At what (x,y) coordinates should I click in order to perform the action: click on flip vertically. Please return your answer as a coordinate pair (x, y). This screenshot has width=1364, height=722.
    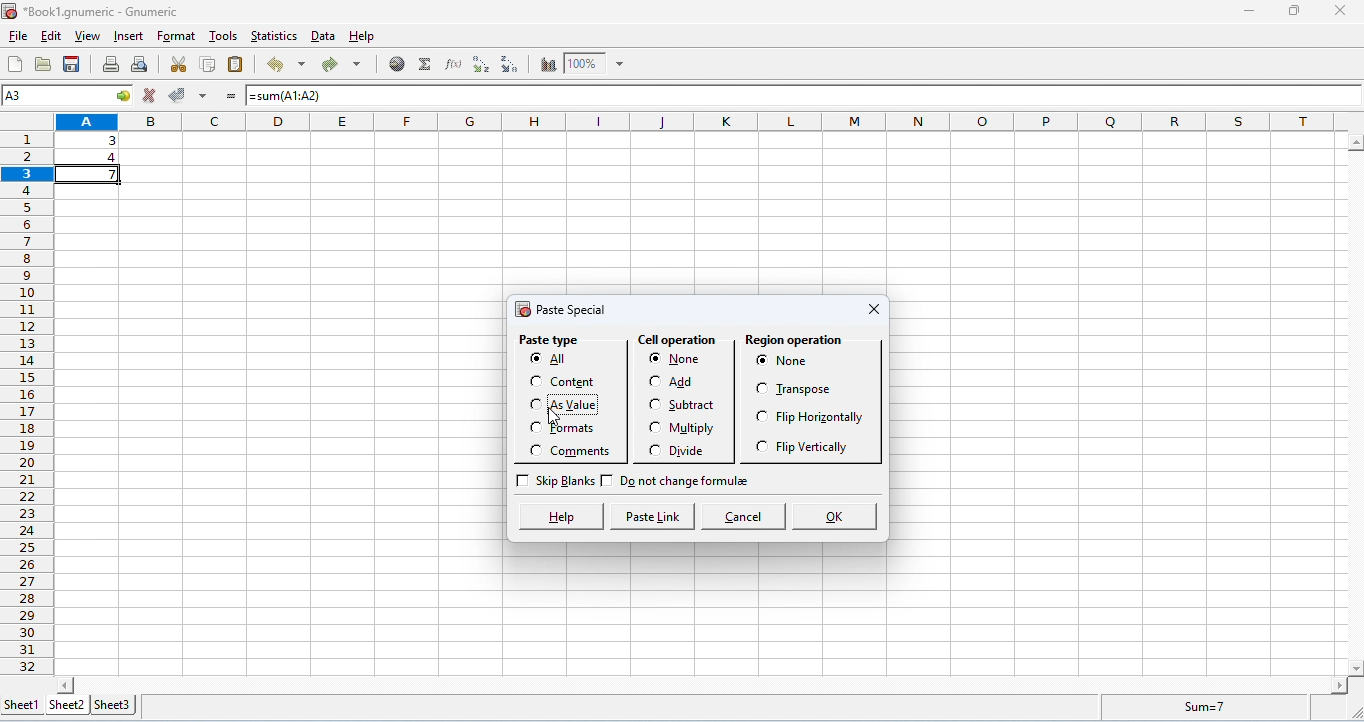
    Looking at the image, I should click on (817, 448).